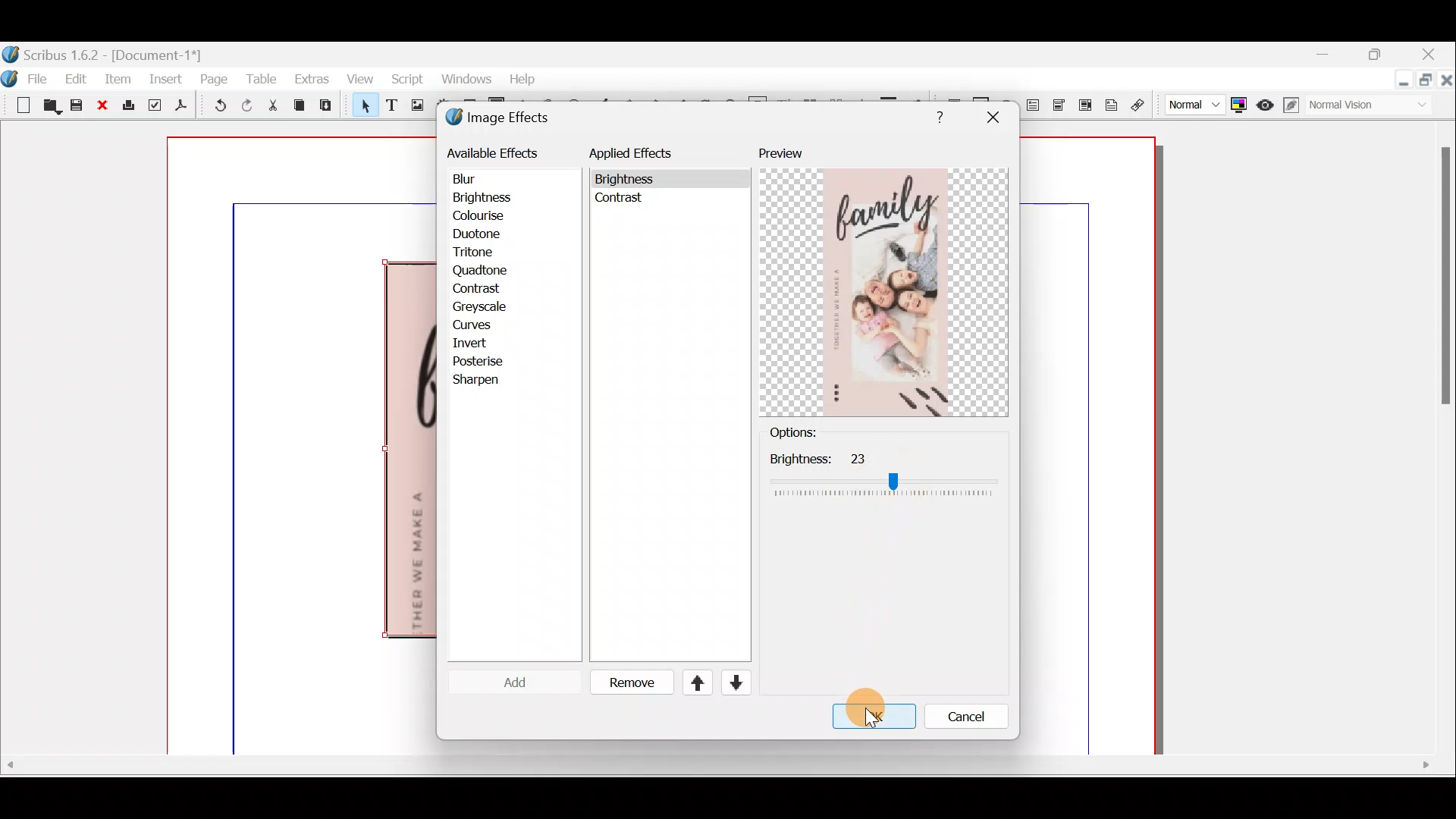 The height and width of the screenshot is (819, 1456). Describe the element at coordinates (42, 77) in the screenshot. I see `File` at that location.